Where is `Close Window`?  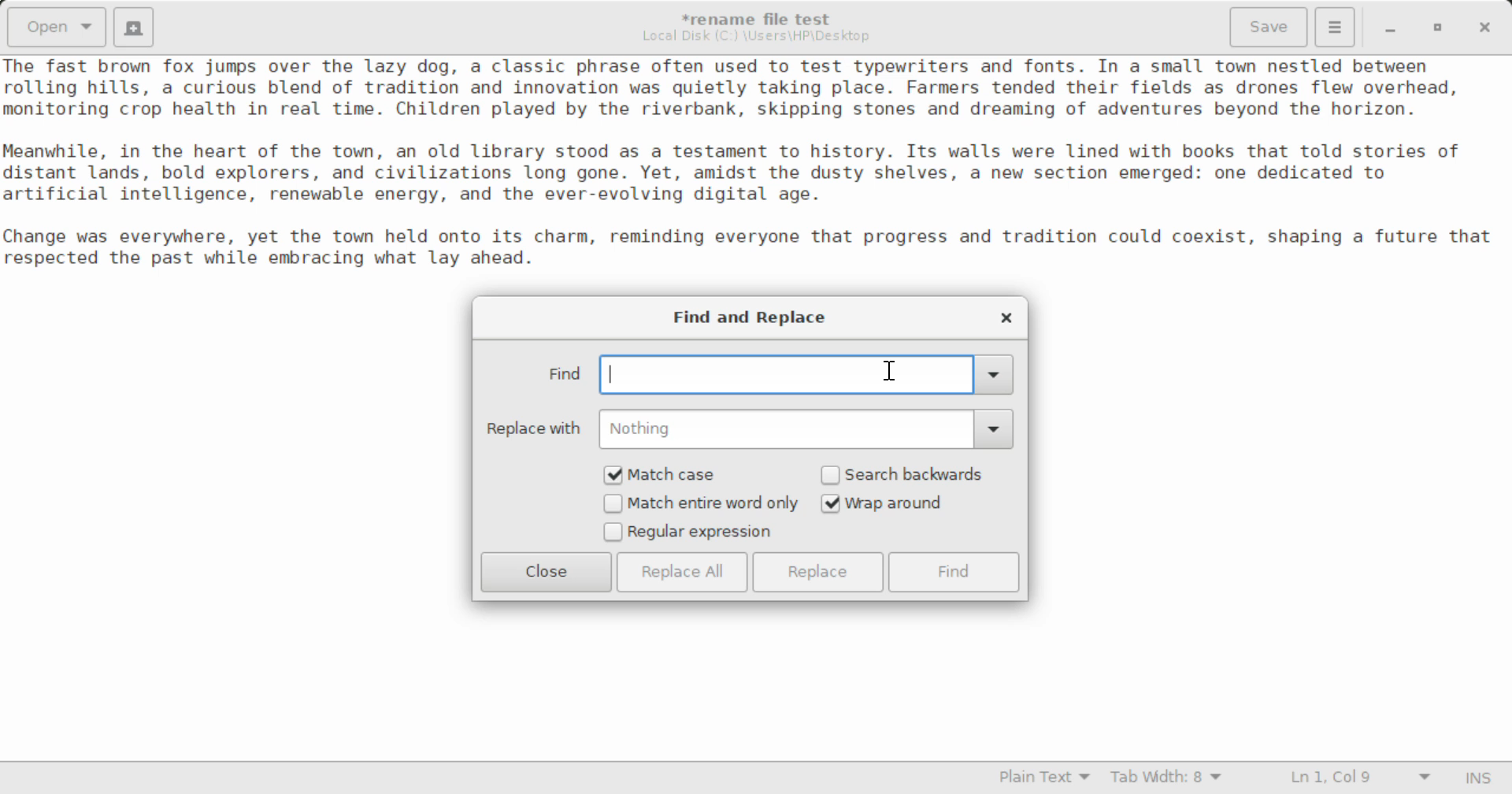 Close Window is located at coordinates (1003, 317).